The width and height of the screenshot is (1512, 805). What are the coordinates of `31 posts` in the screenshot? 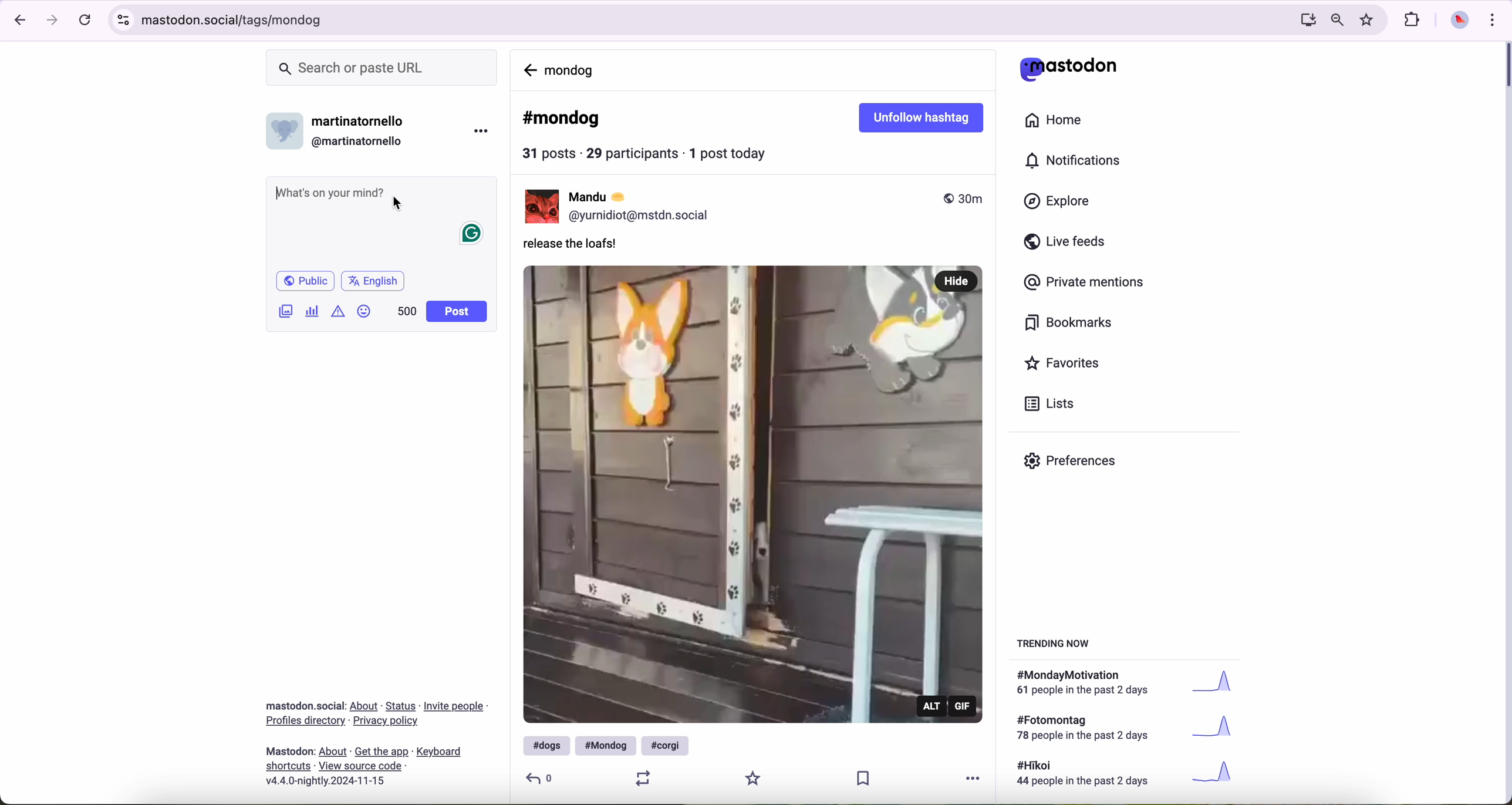 It's located at (551, 155).